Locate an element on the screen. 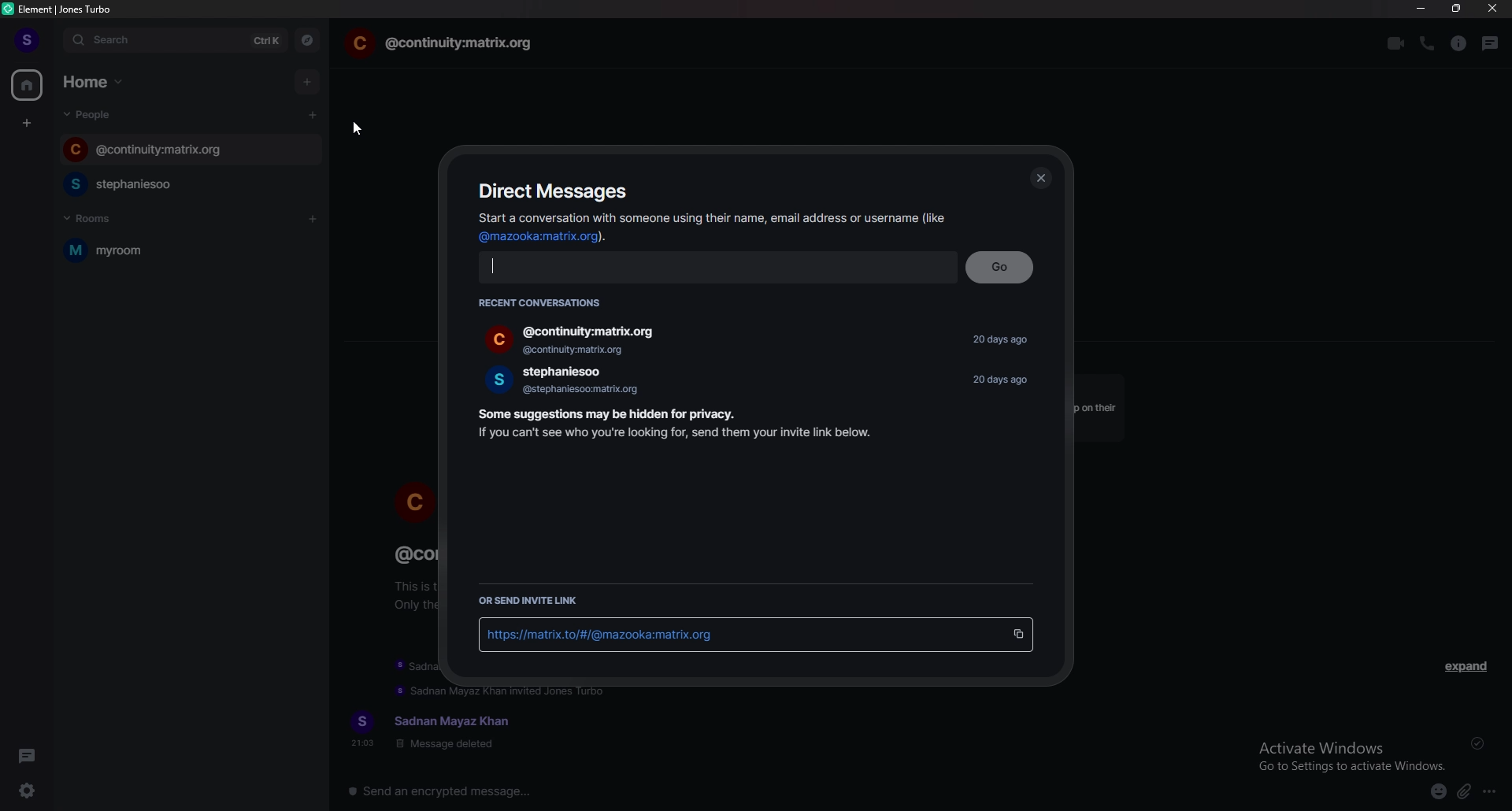  direct messages is located at coordinates (553, 190).